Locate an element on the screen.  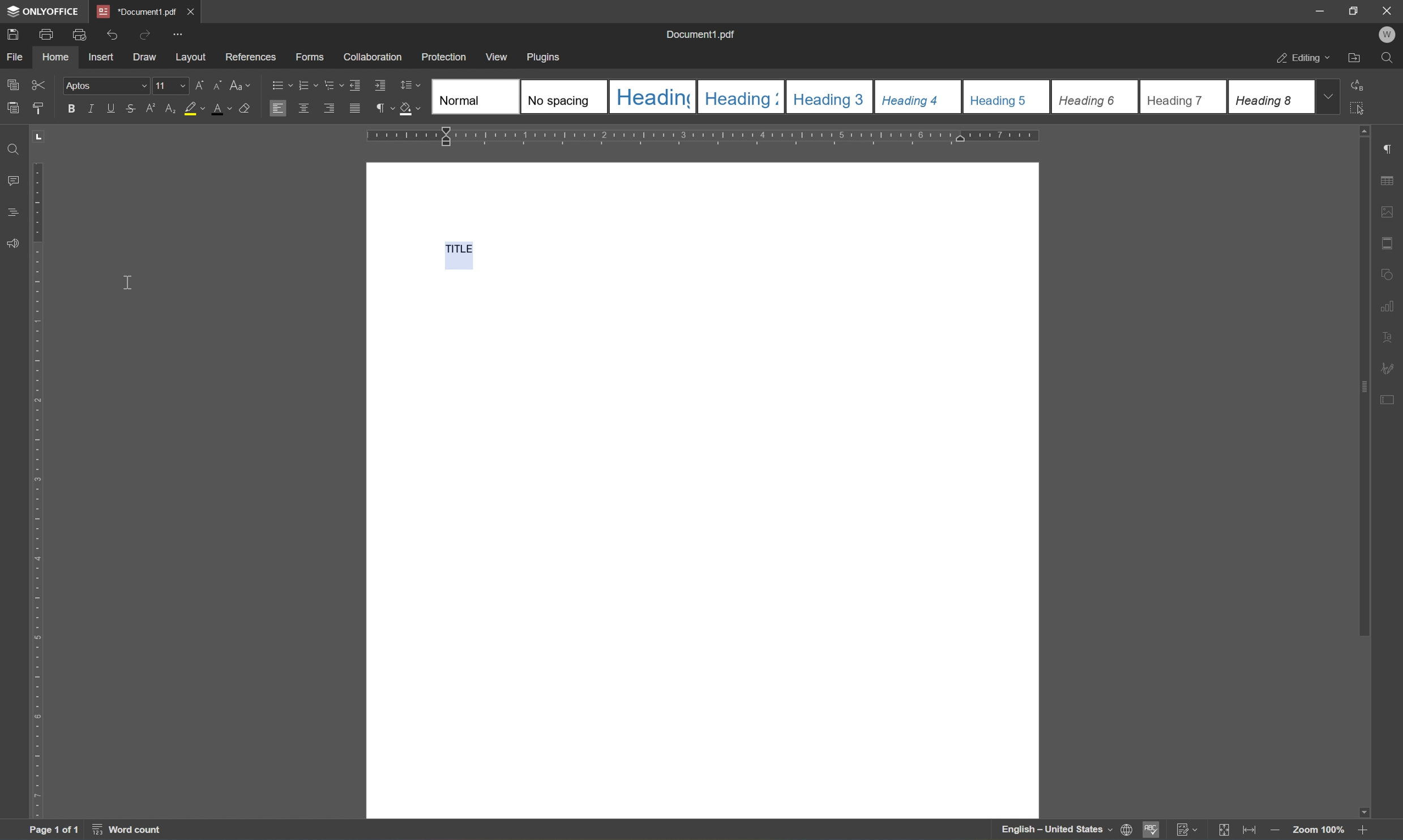
restore down is located at coordinates (1355, 11).